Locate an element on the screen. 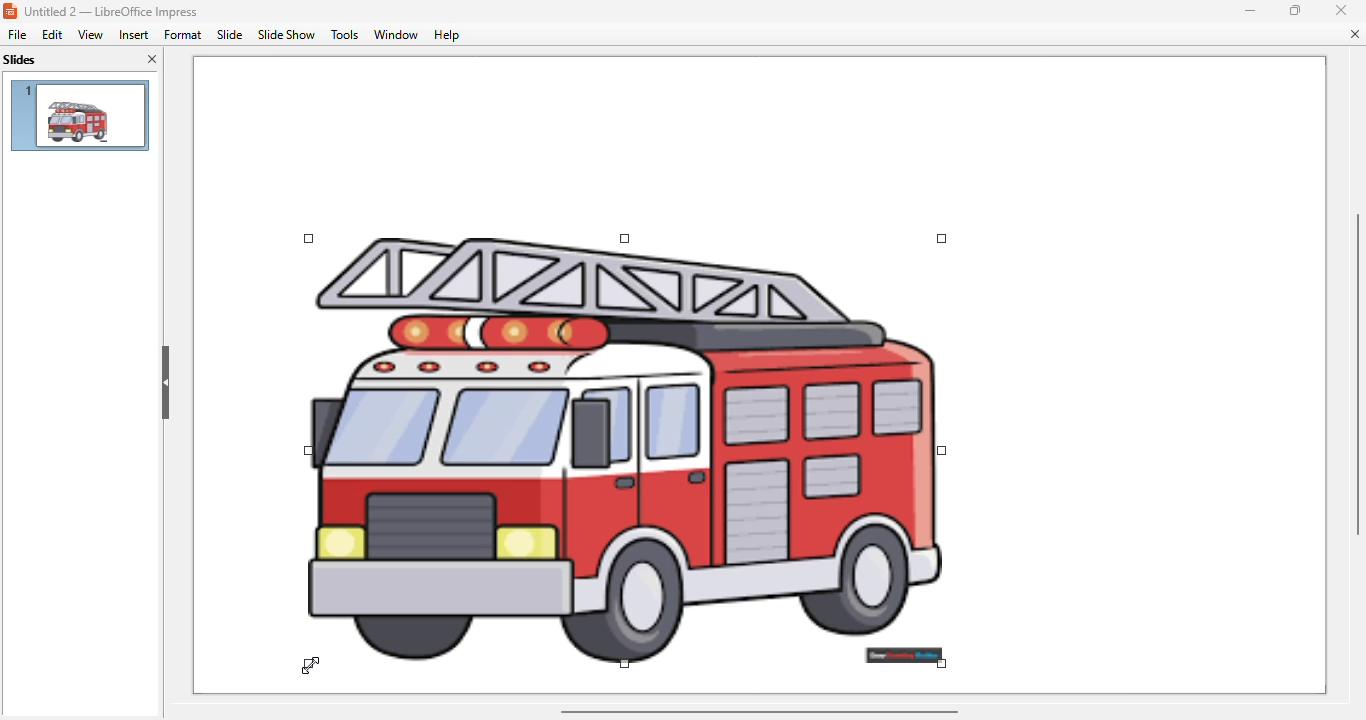 The height and width of the screenshot is (720, 1366). close pane is located at coordinates (153, 58).